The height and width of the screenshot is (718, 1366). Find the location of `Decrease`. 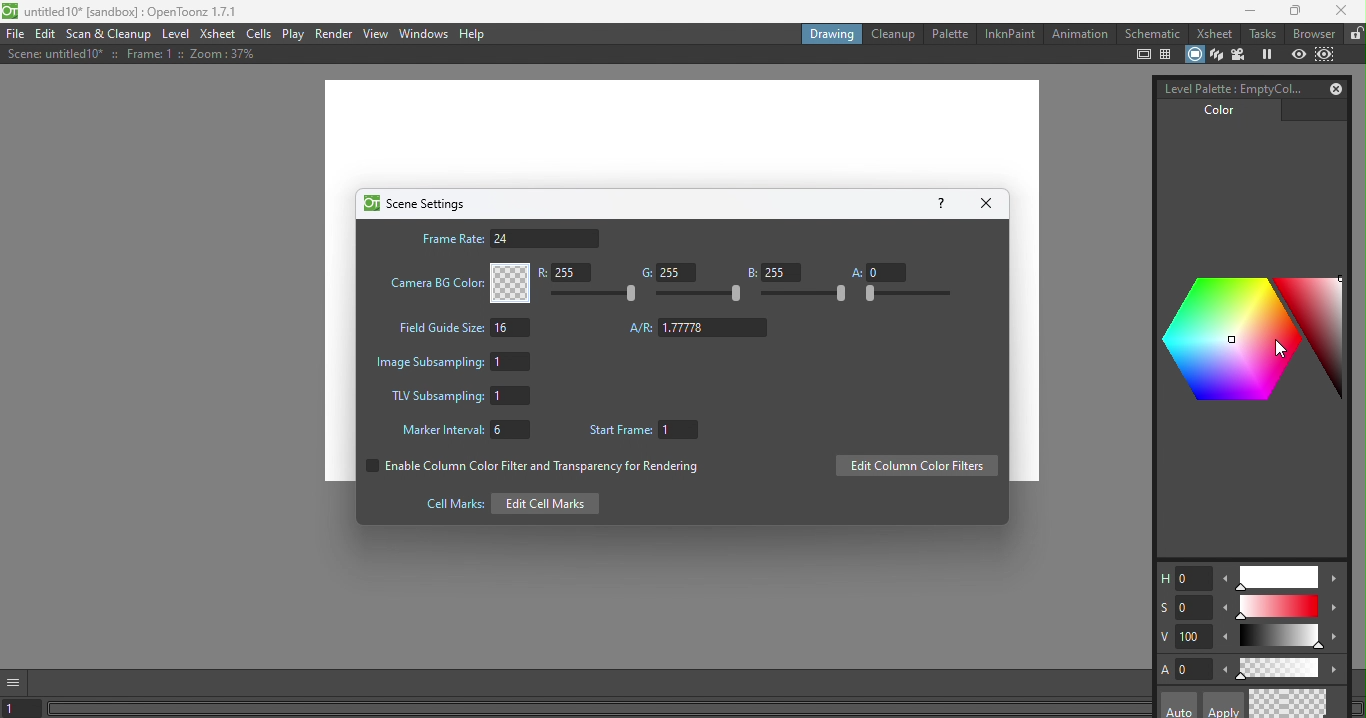

Decrease is located at coordinates (1225, 672).